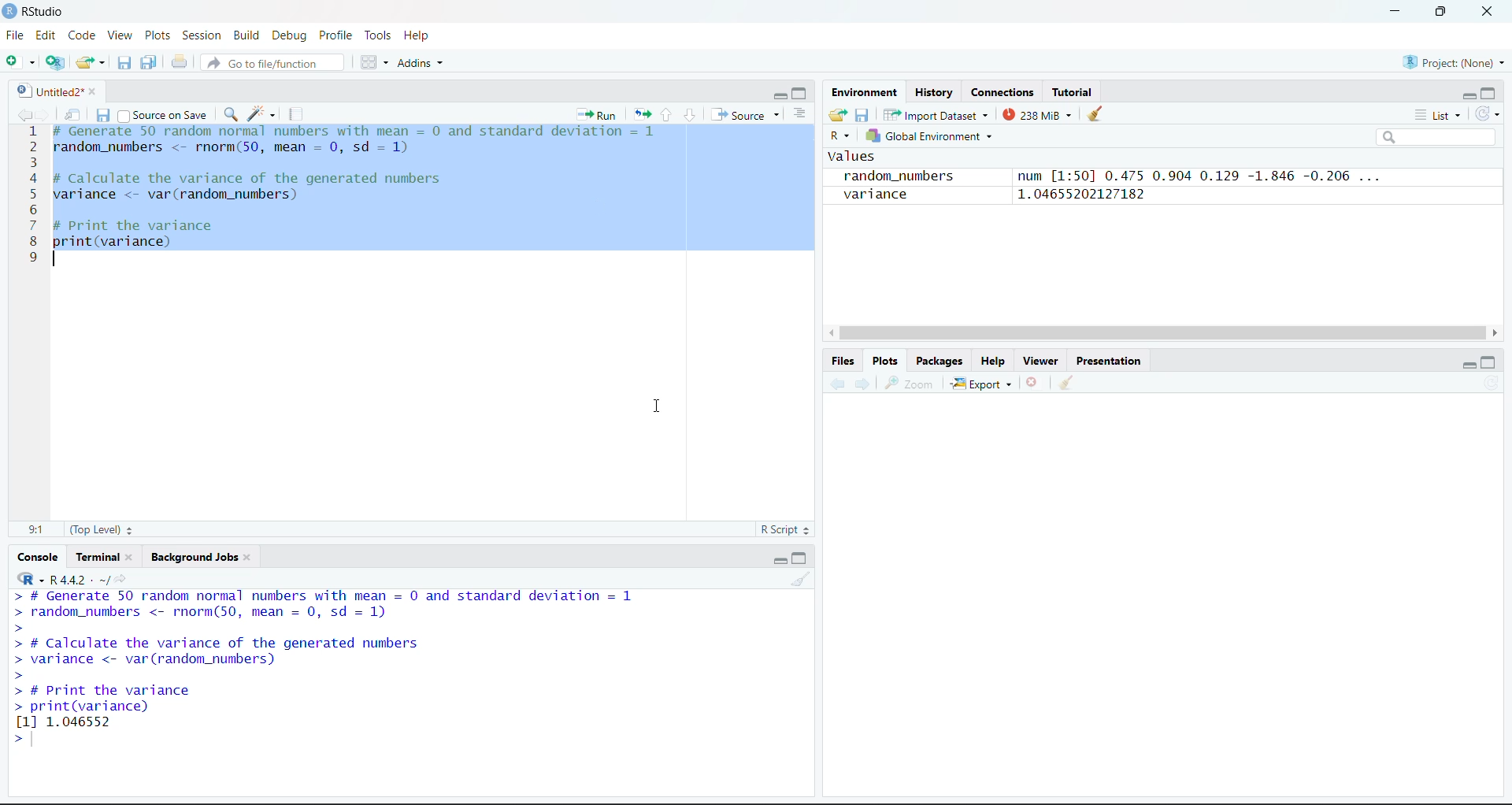  I want to click on Tutorial, so click(1072, 93).